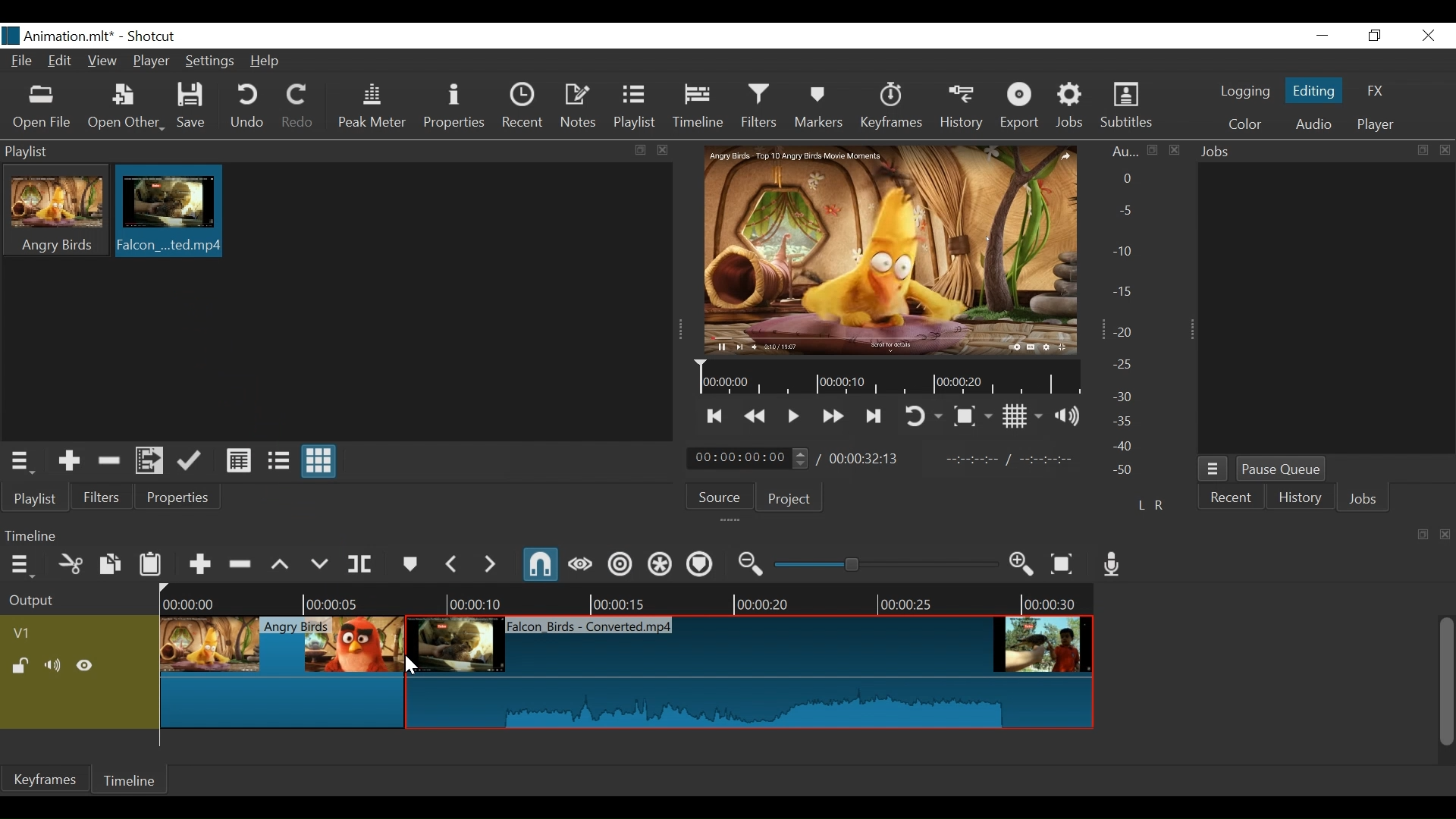 The height and width of the screenshot is (819, 1456). I want to click on Clip, so click(361, 638).